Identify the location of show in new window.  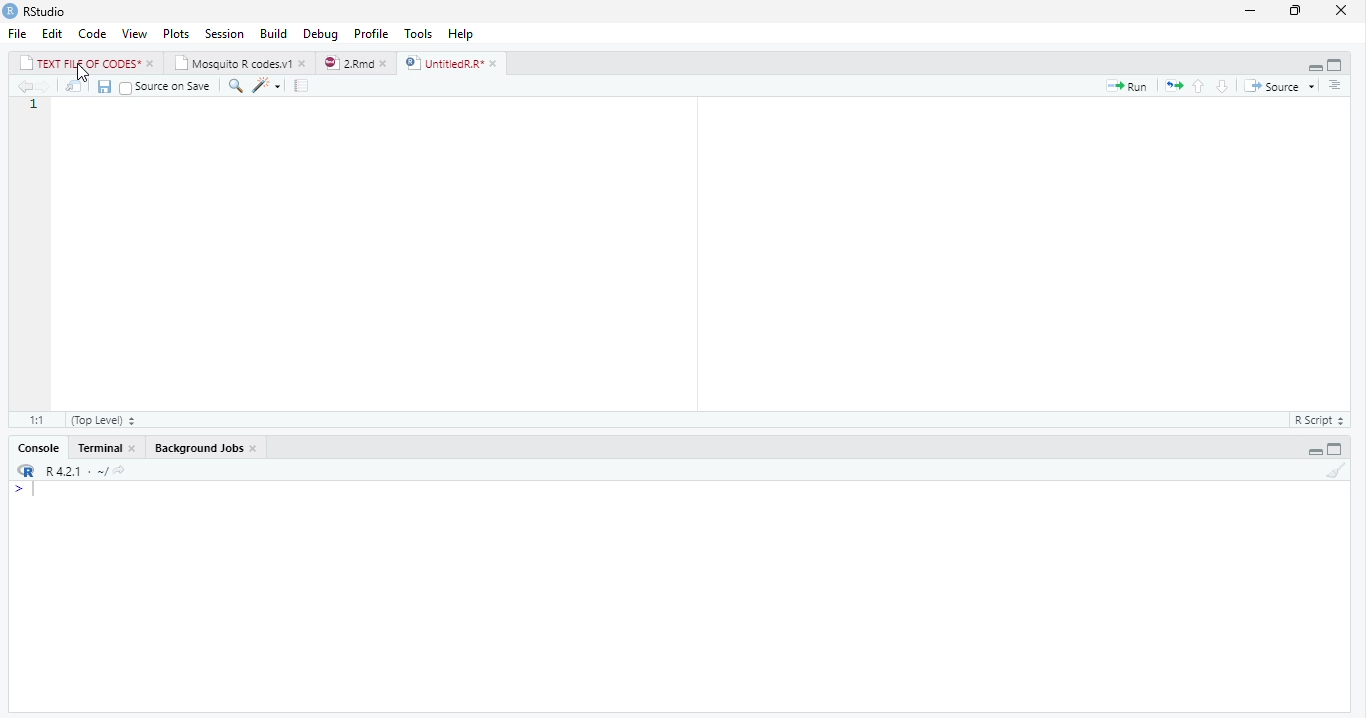
(76, 87).